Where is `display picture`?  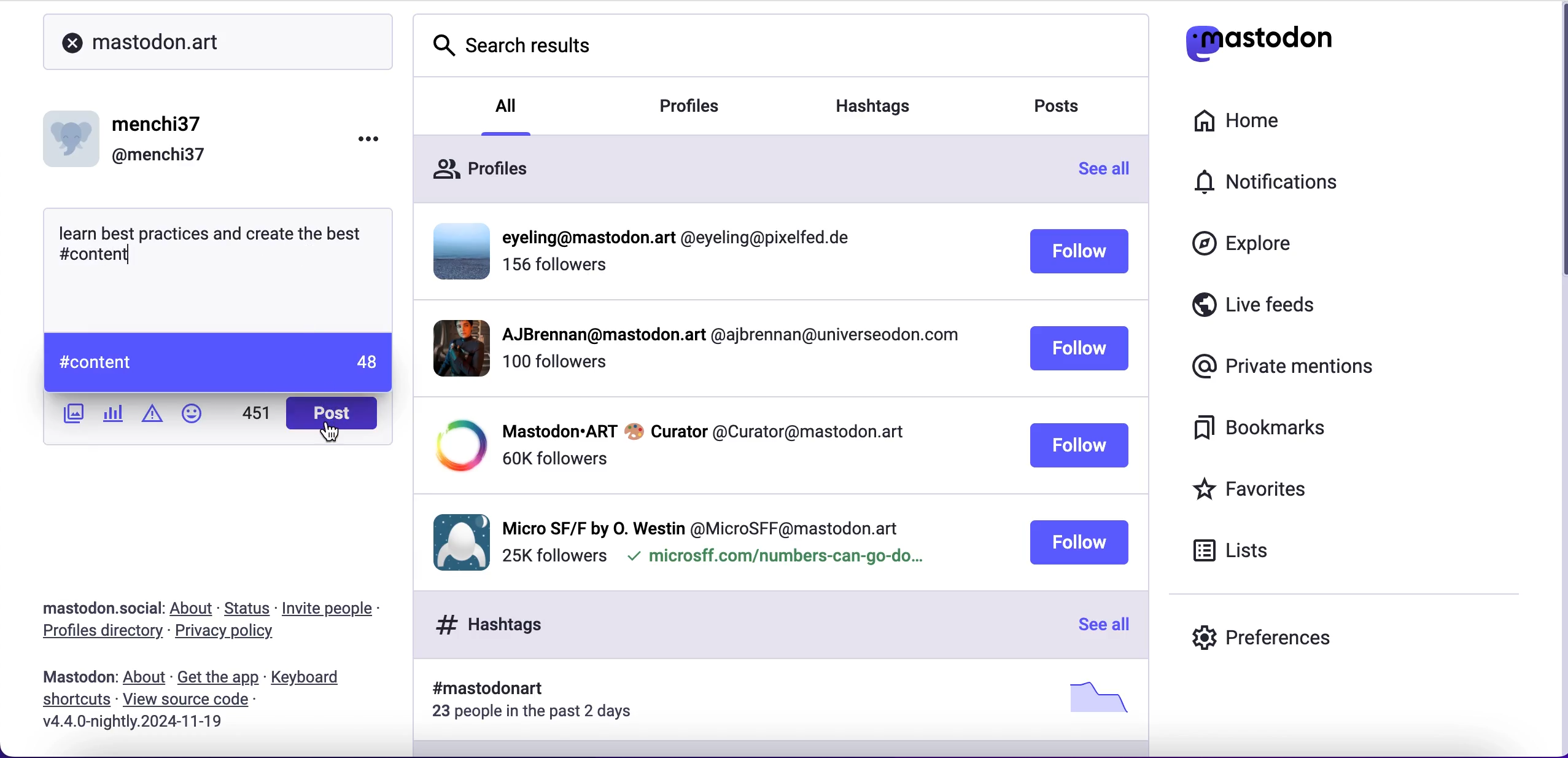 display picture is located at coordinates (74, 135).